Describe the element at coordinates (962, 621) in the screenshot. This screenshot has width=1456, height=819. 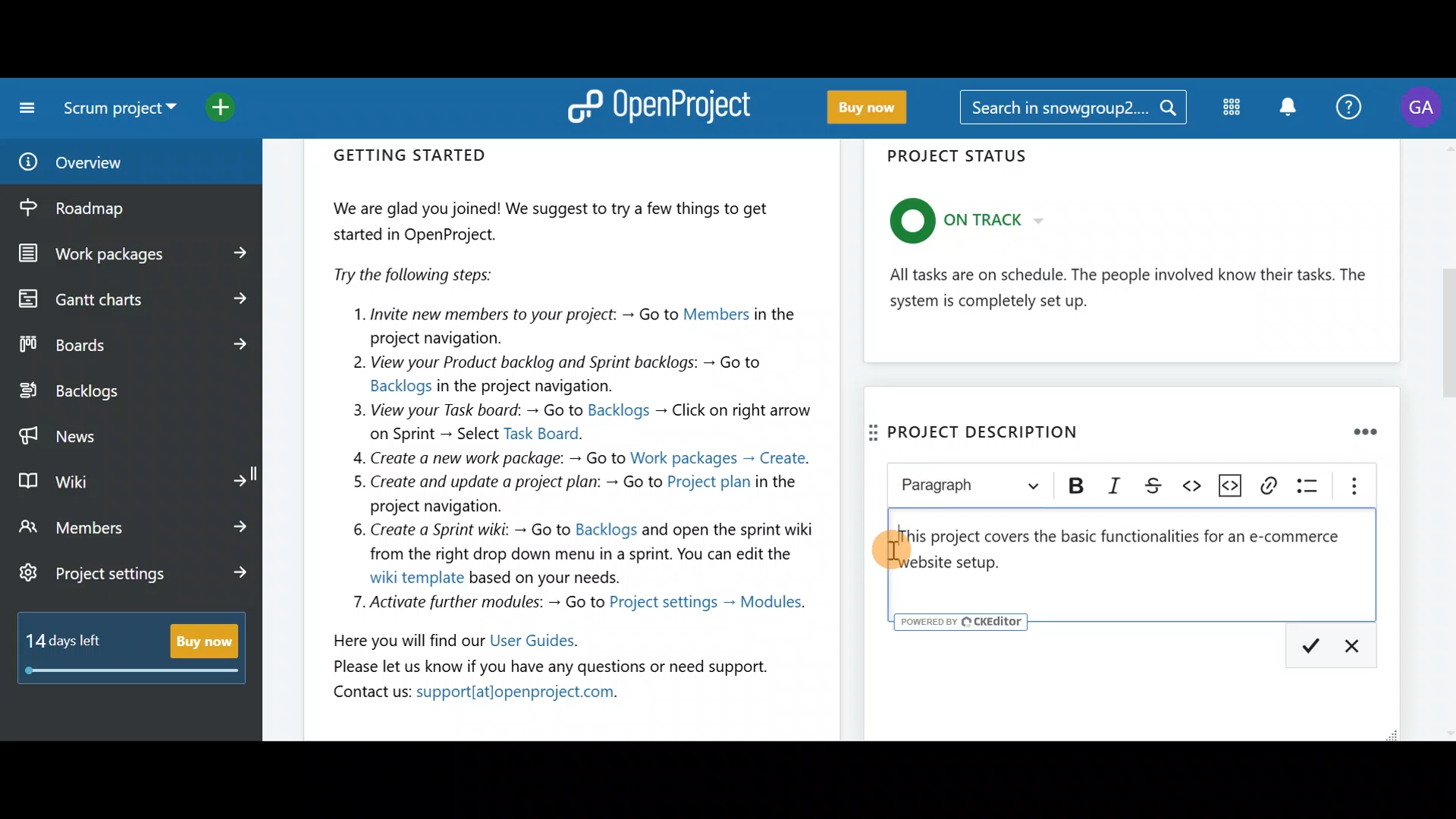
I see `powered by CKEditor` at that location.